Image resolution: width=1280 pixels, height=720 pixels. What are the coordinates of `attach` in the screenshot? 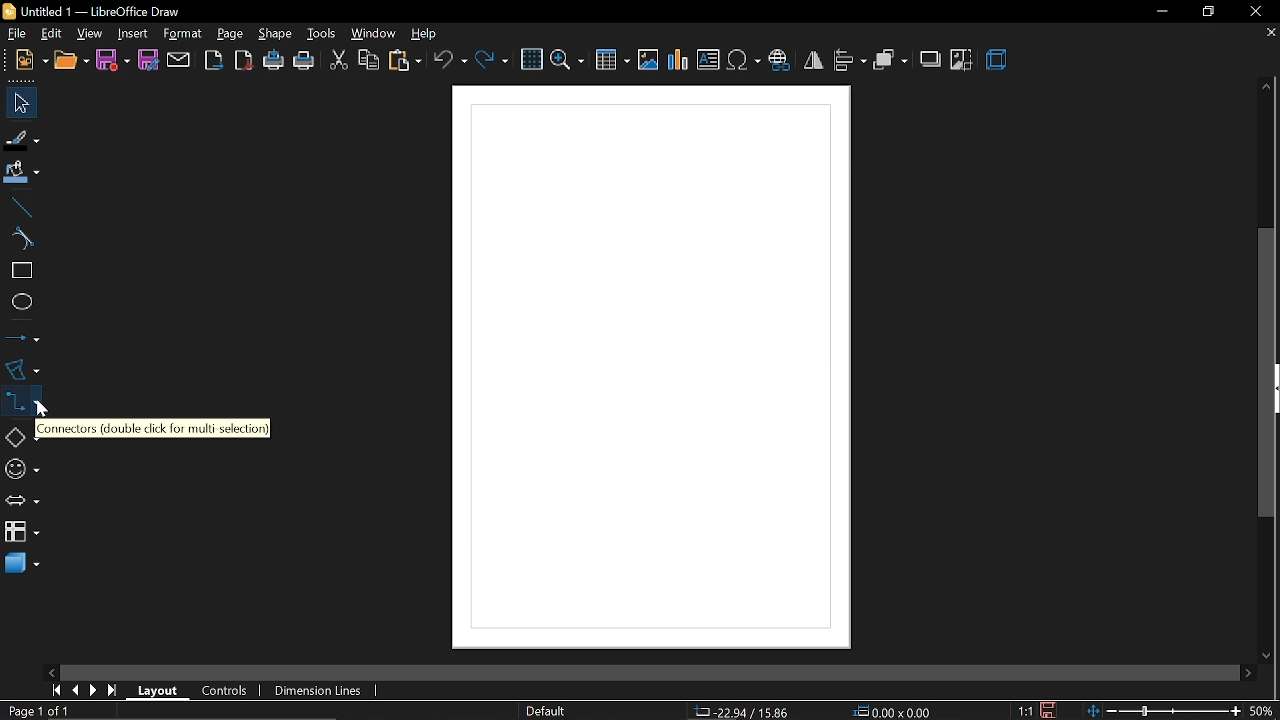 It's located at (178, 60).